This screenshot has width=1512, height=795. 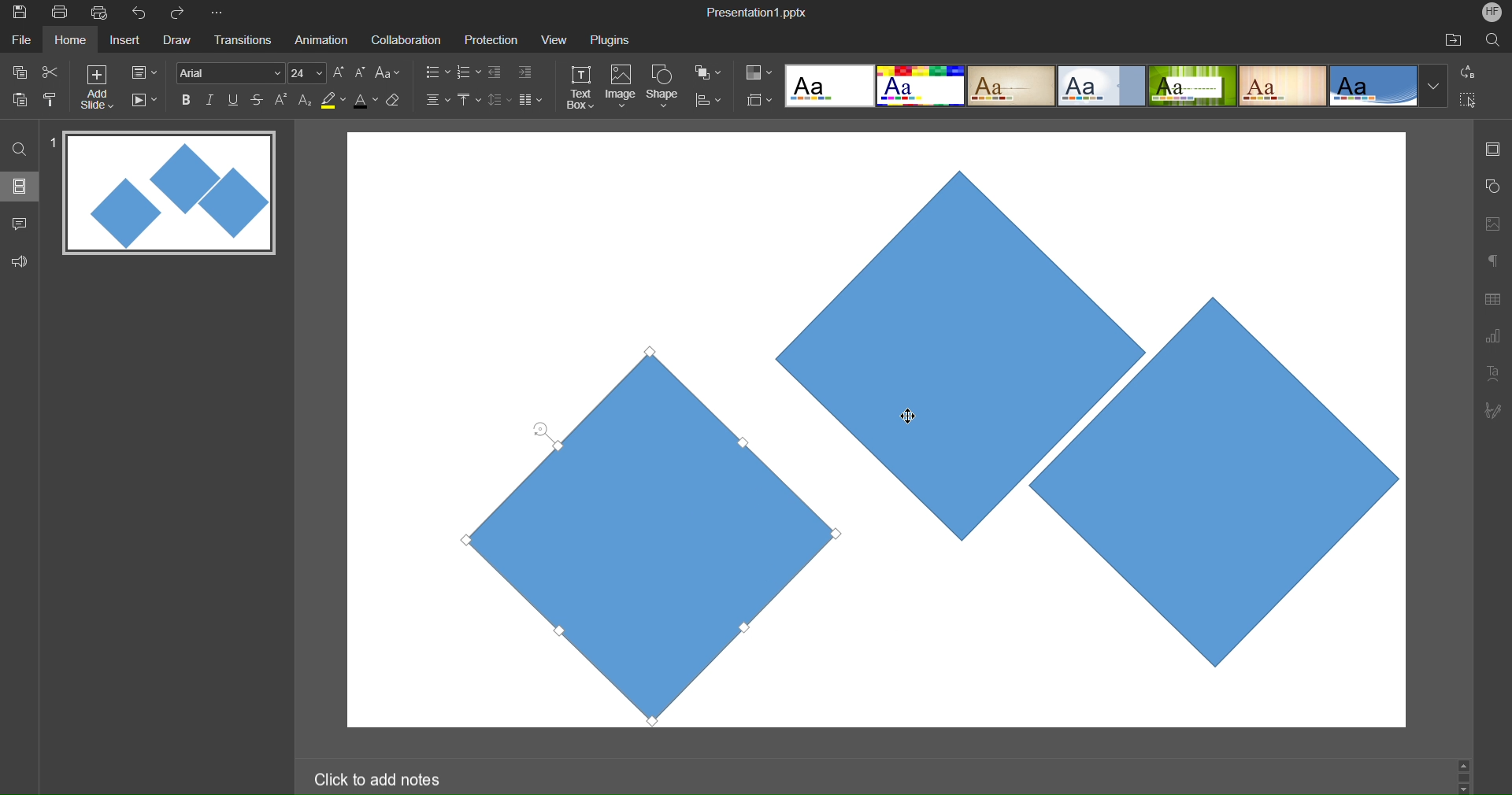 I want to click on Underline, so click(x=234, y=100).